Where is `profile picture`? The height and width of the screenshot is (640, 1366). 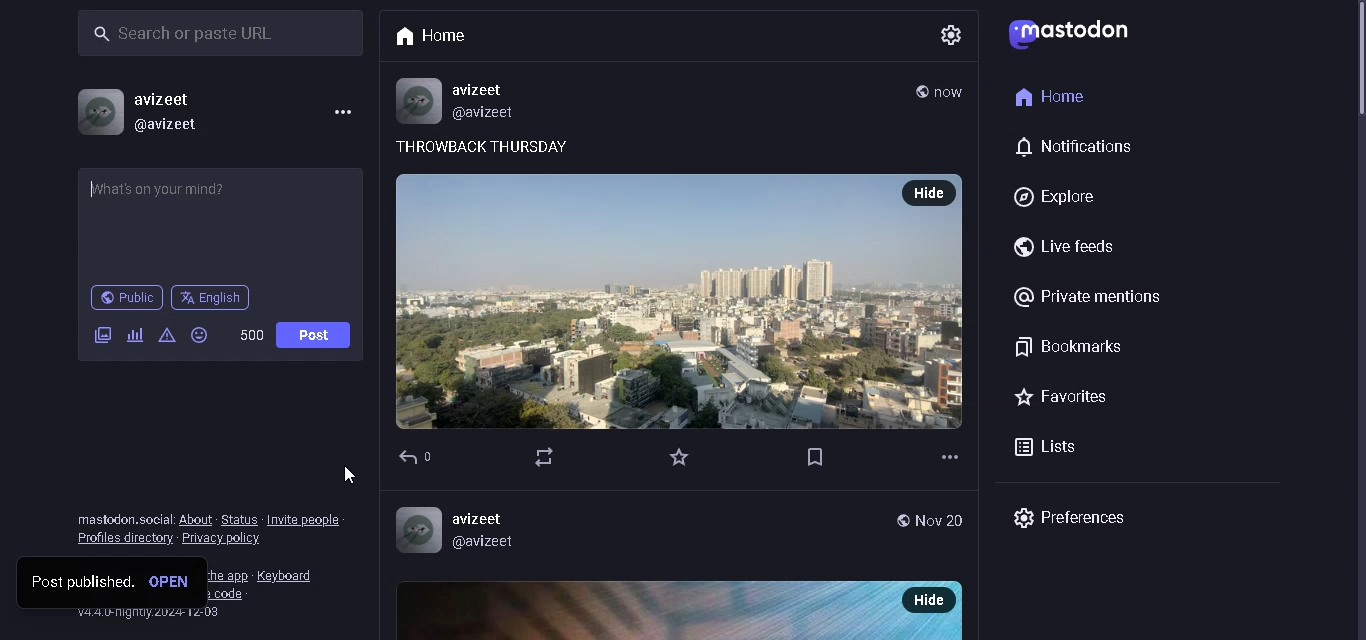 profile picture is located at coordinates (99, 110).